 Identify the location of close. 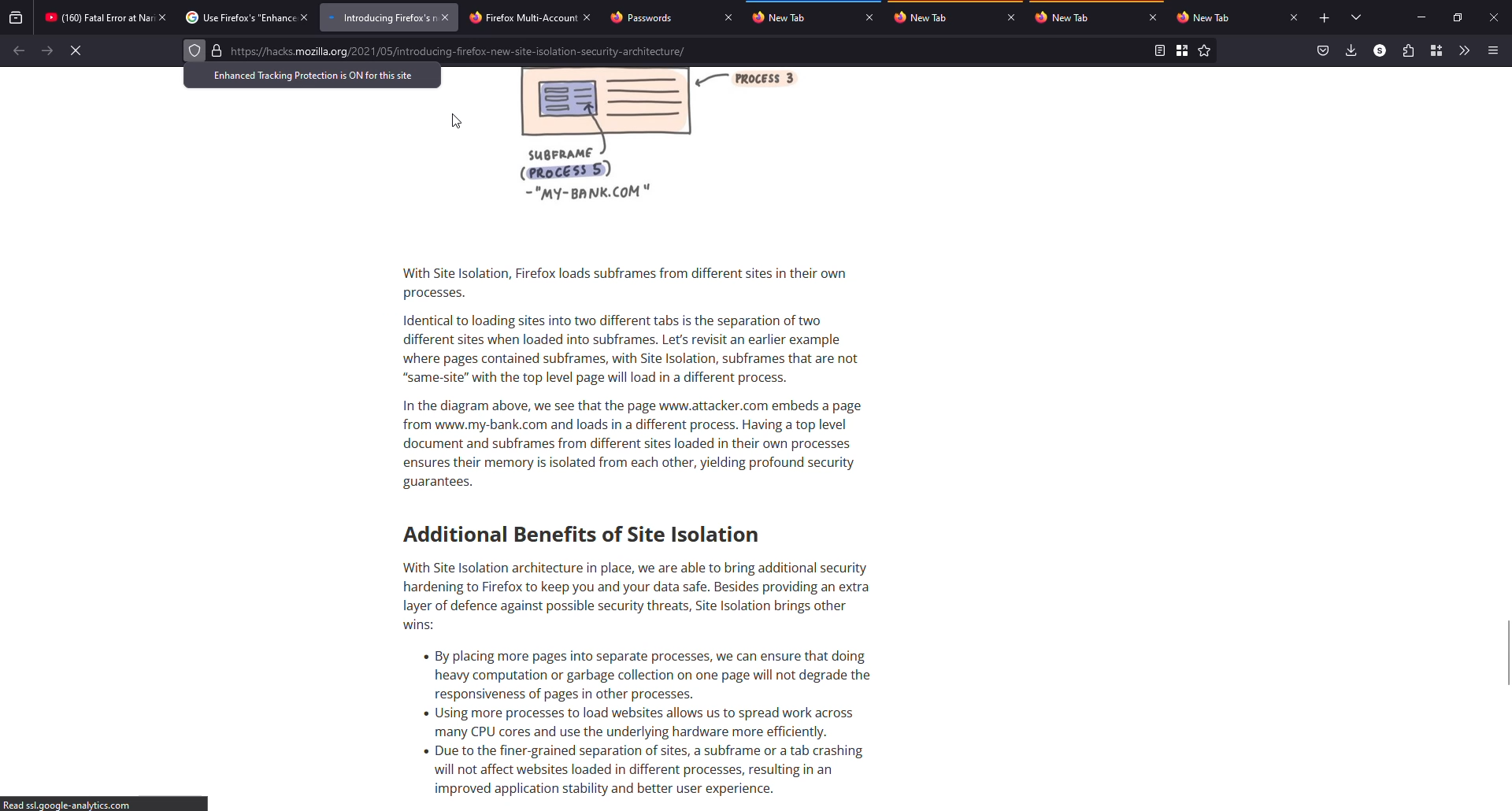
(728, 17).